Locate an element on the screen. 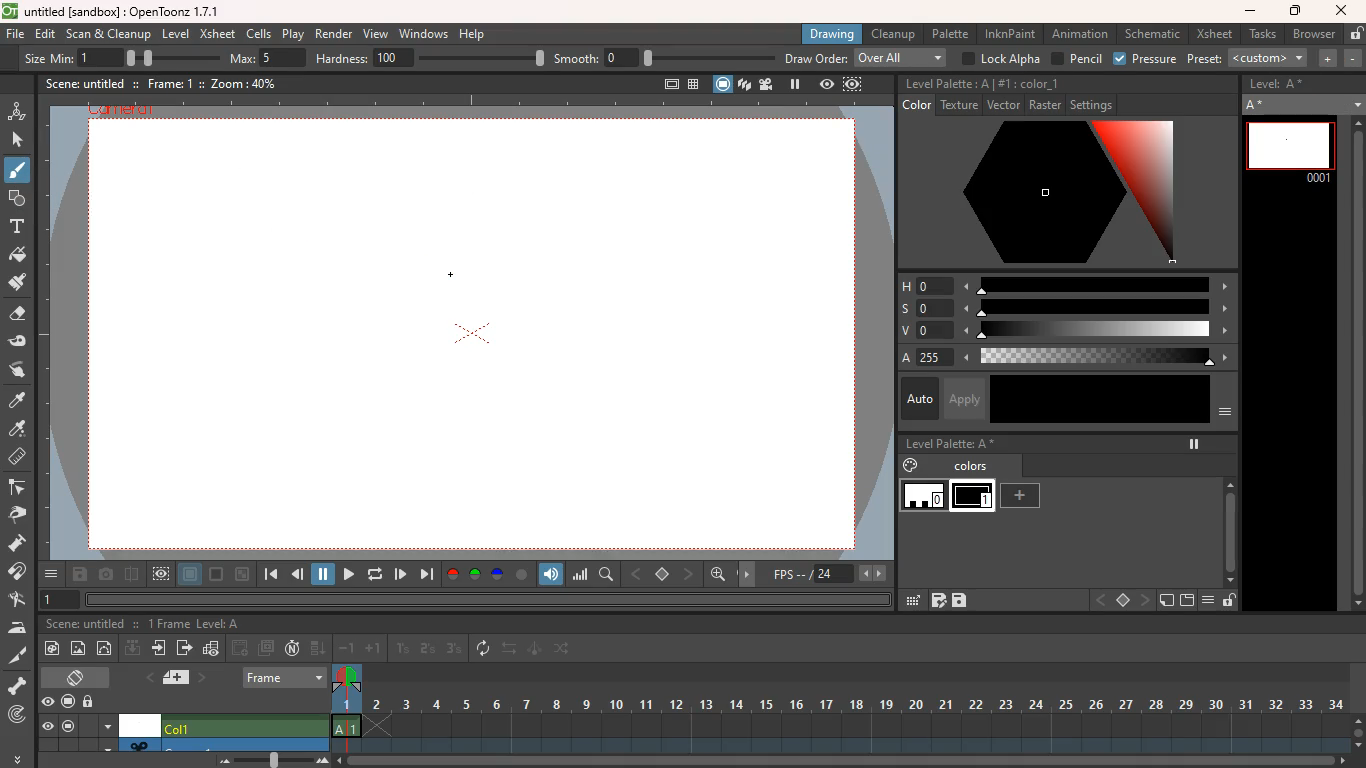 The height and width of the screenshot is (768, 1366). screen is located at coordinates (67, 699).